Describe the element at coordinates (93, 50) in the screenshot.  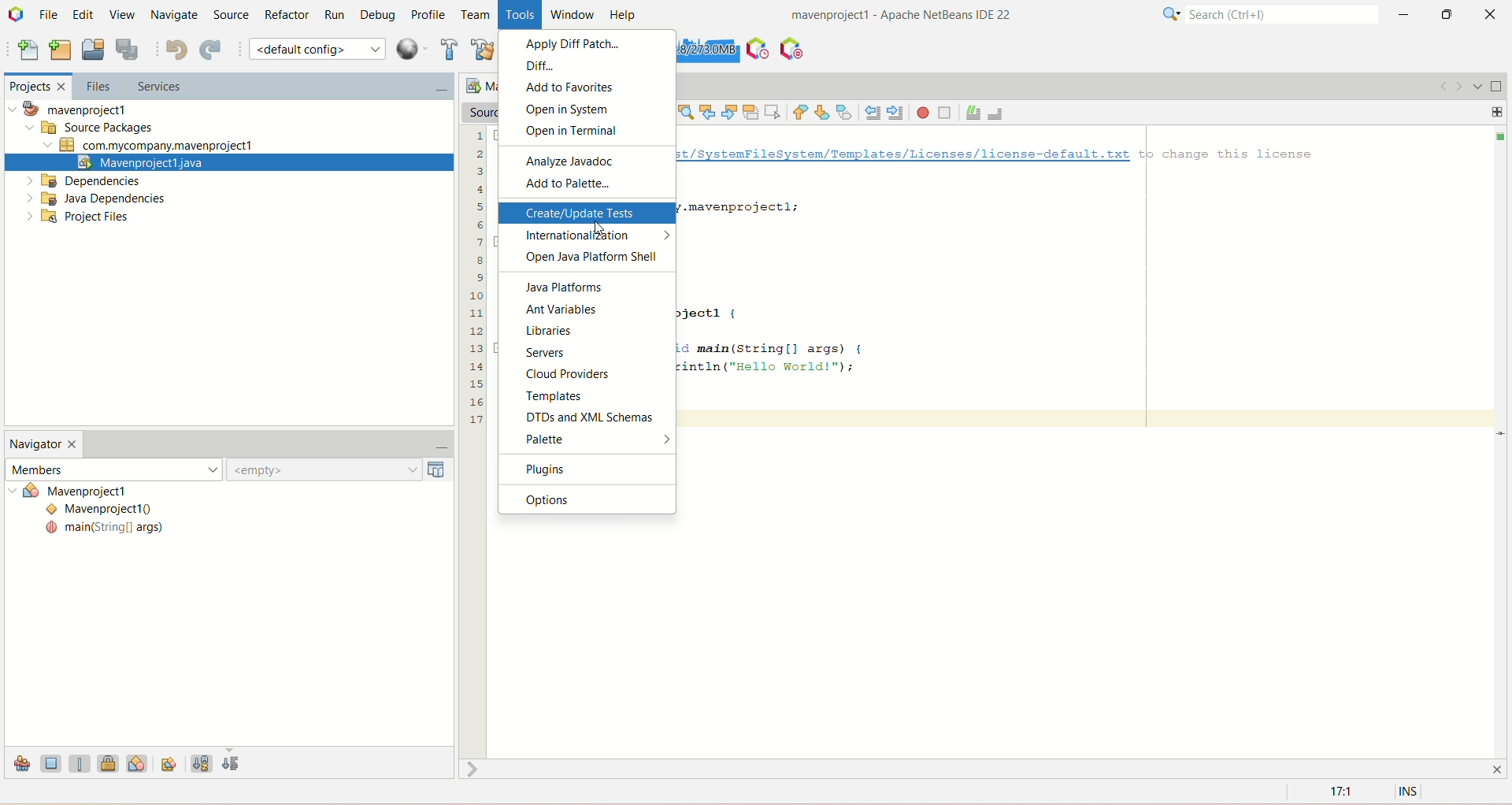
I see `open project` at that location.